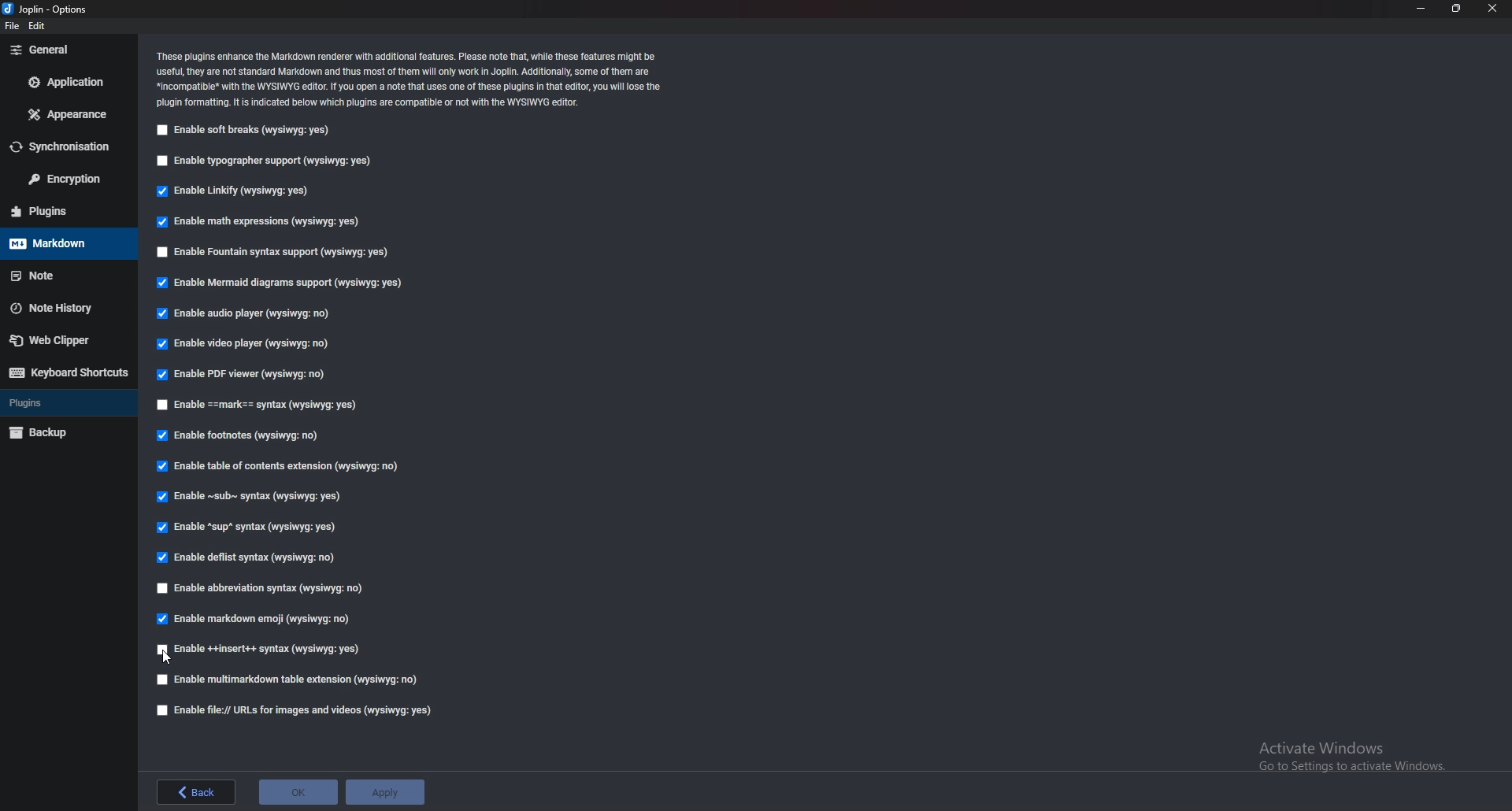  Describe the element at coordinates (384, 792) in the screenshot. I see `apply` at that location.